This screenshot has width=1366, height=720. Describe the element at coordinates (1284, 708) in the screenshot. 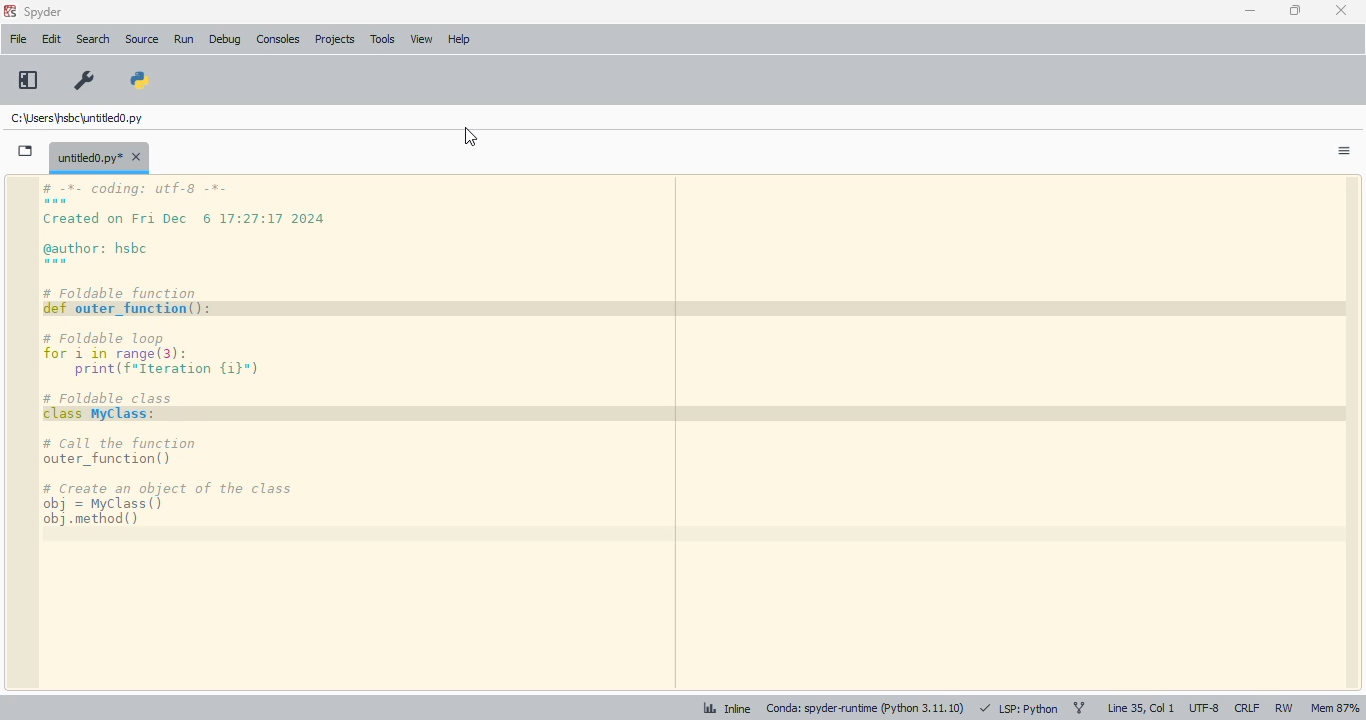

I see `RW` at that location.